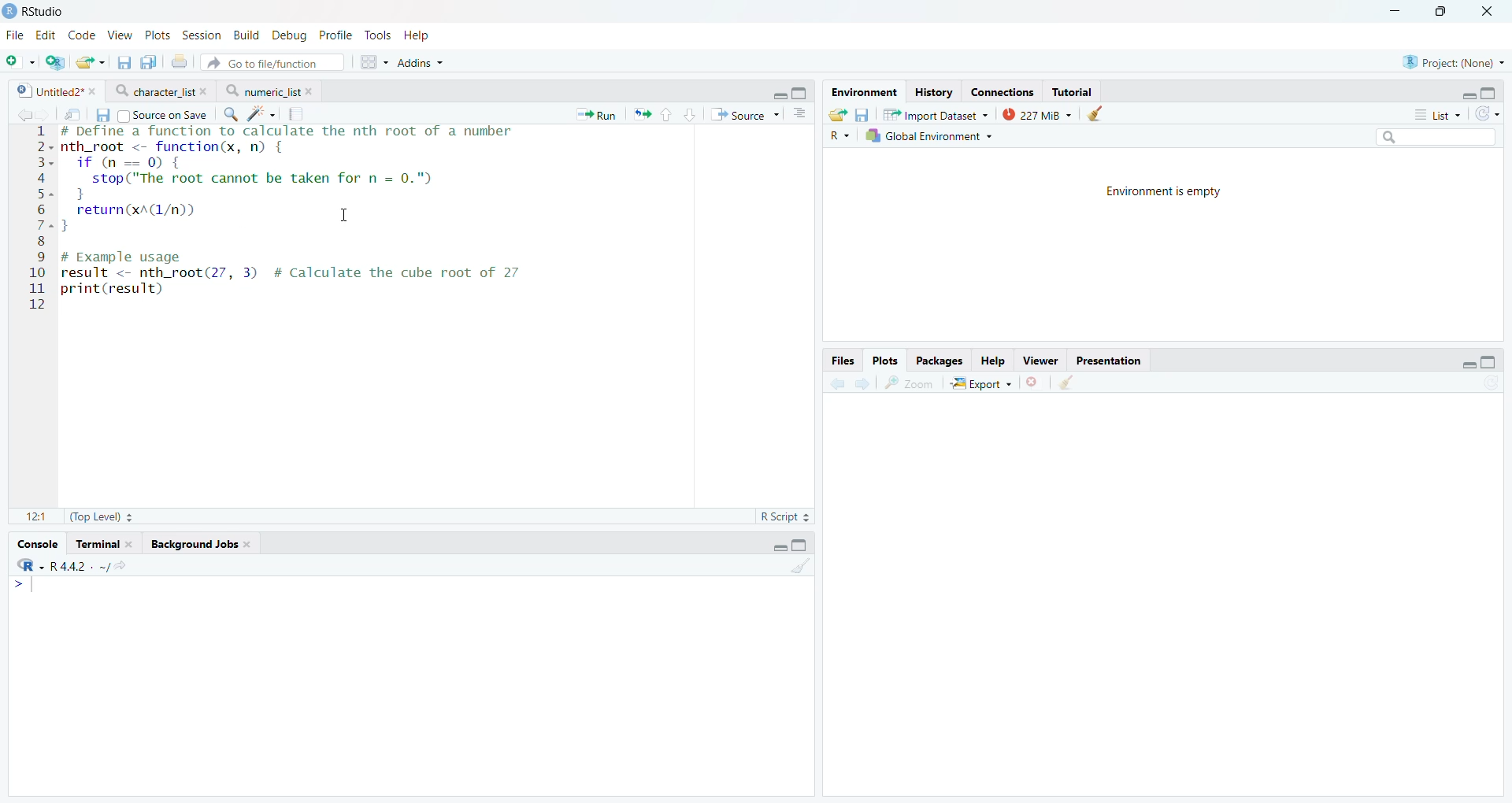  What do you see at coordinates (410, 686) in the screenshot?
I see `Console` at bounding box center [410, 686].